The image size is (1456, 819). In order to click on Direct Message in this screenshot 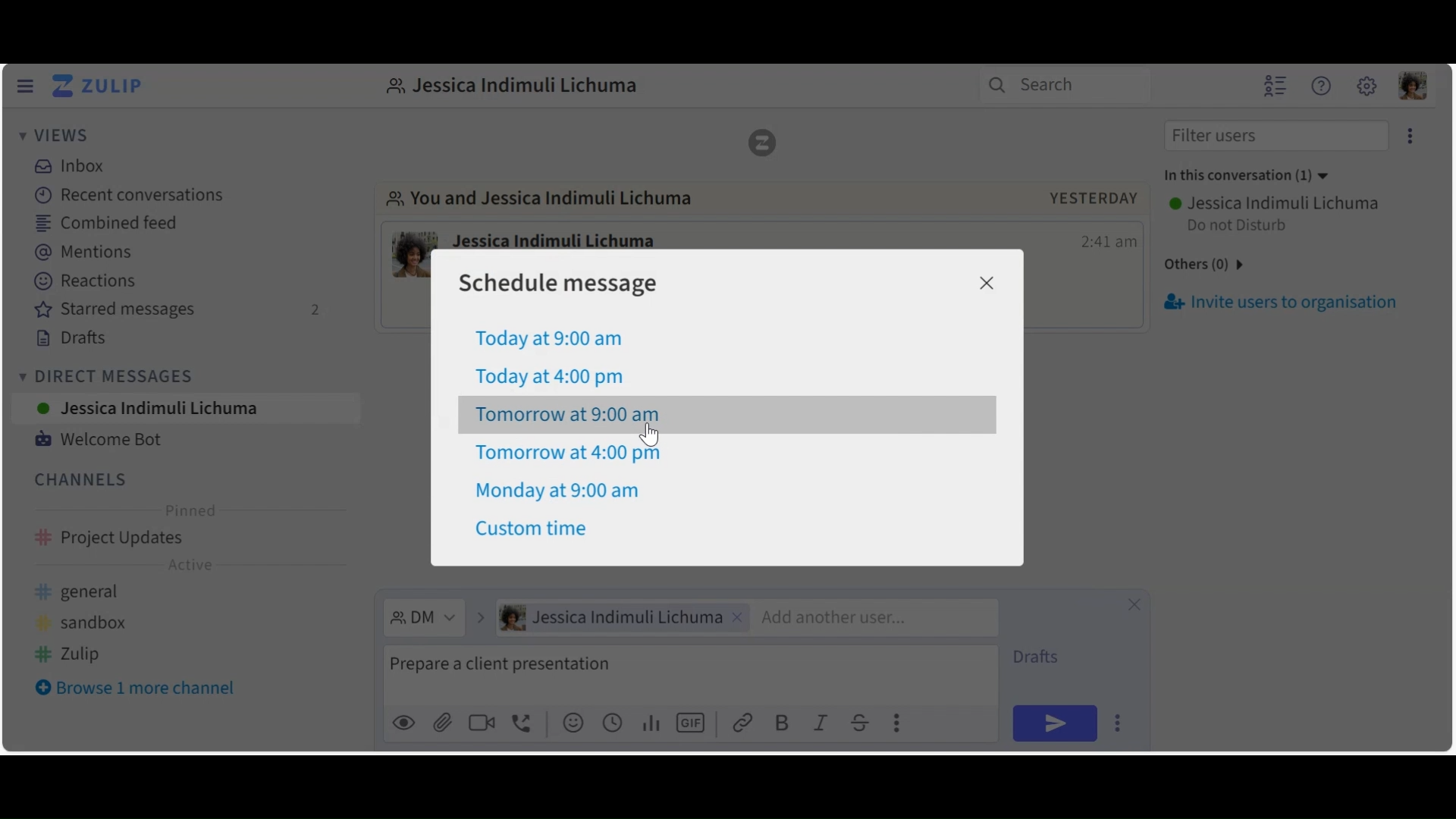, I will do `click(422, 617)`.